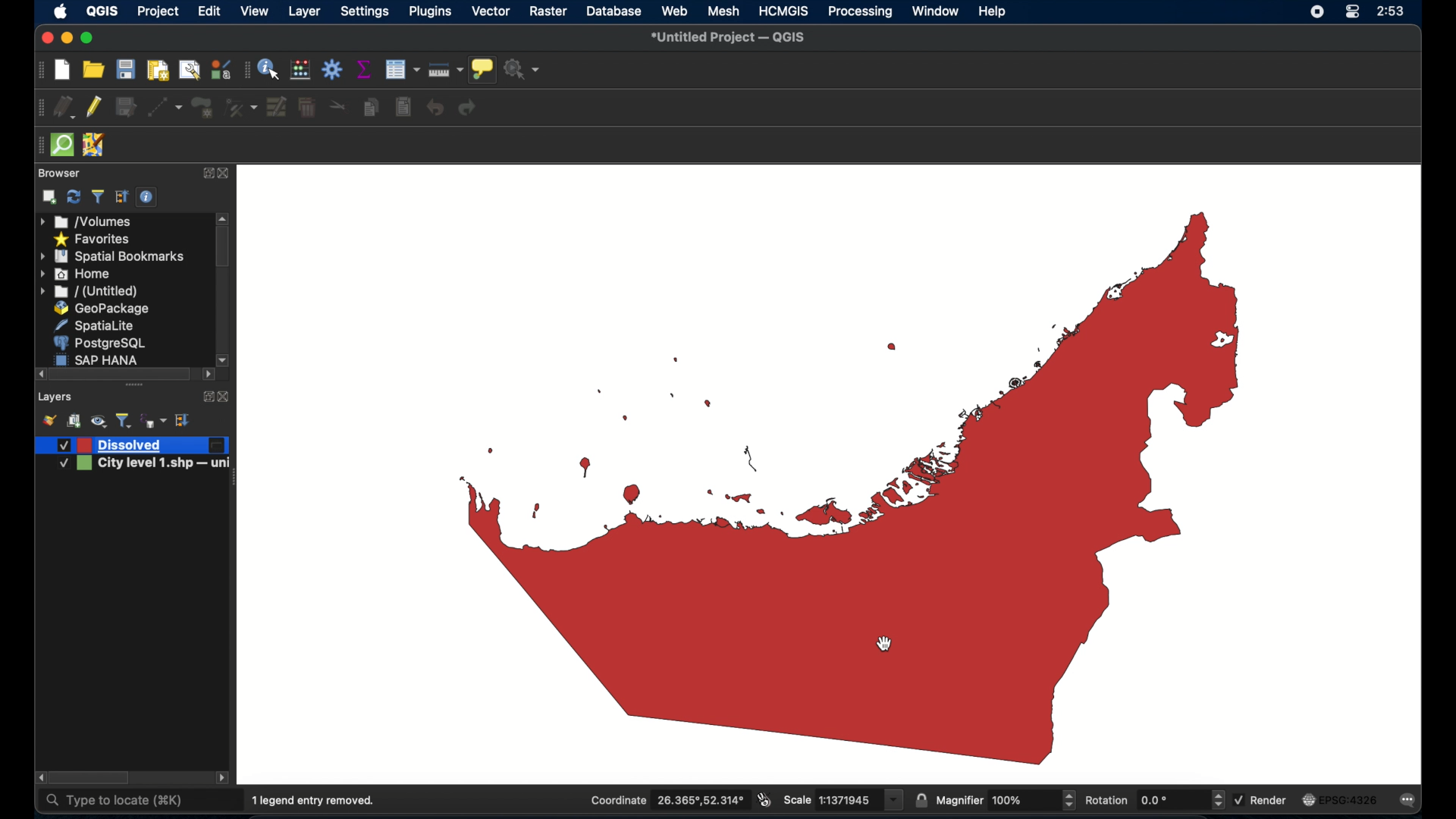 Image resolution: width=1456 pixels, height=819 pixels. What do you see at coordinates (275, 107) in the screenshot?
I see `modify attributes` at bounding box center [275, 107].